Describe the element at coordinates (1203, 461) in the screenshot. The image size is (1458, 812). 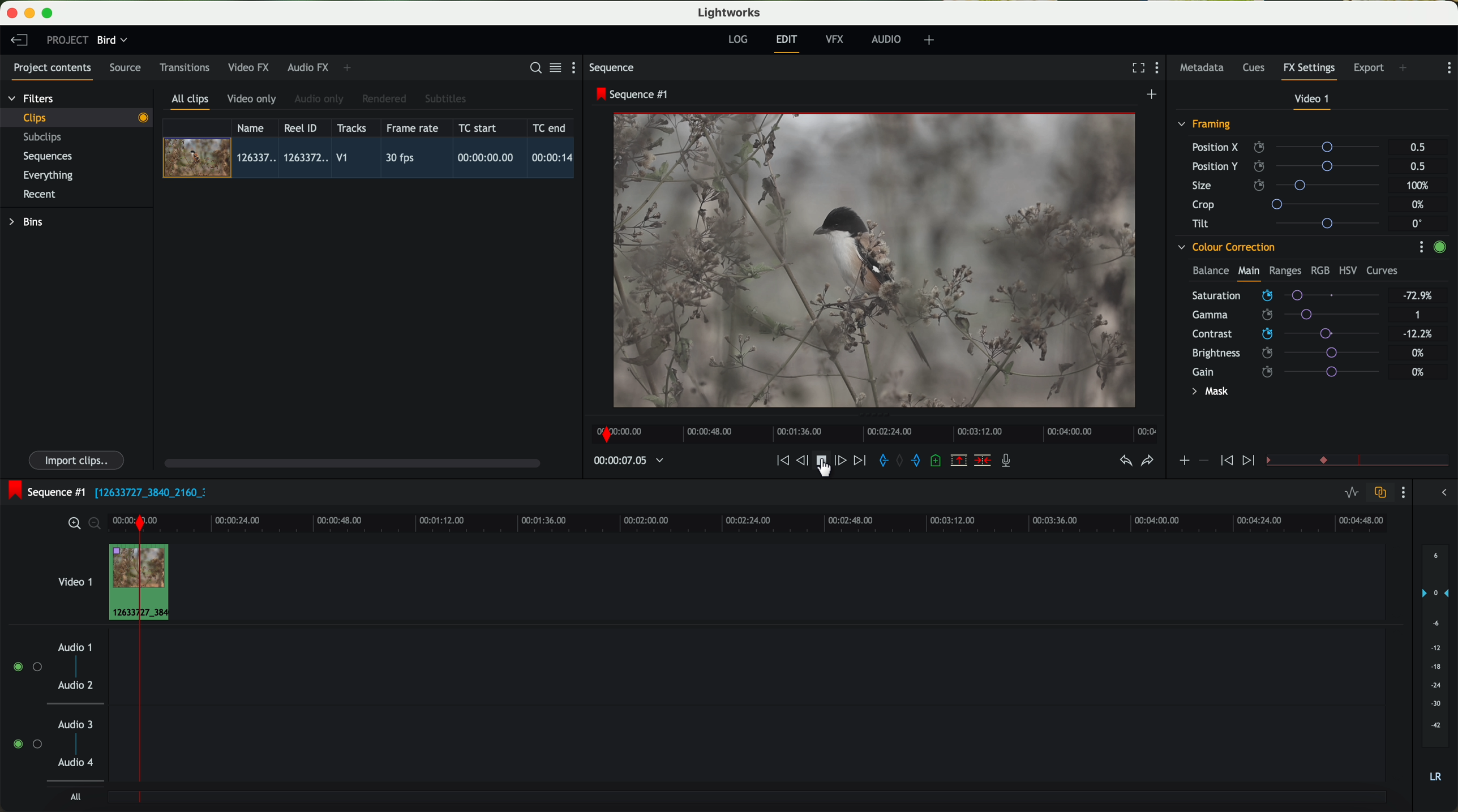
I see `icon` at that location.